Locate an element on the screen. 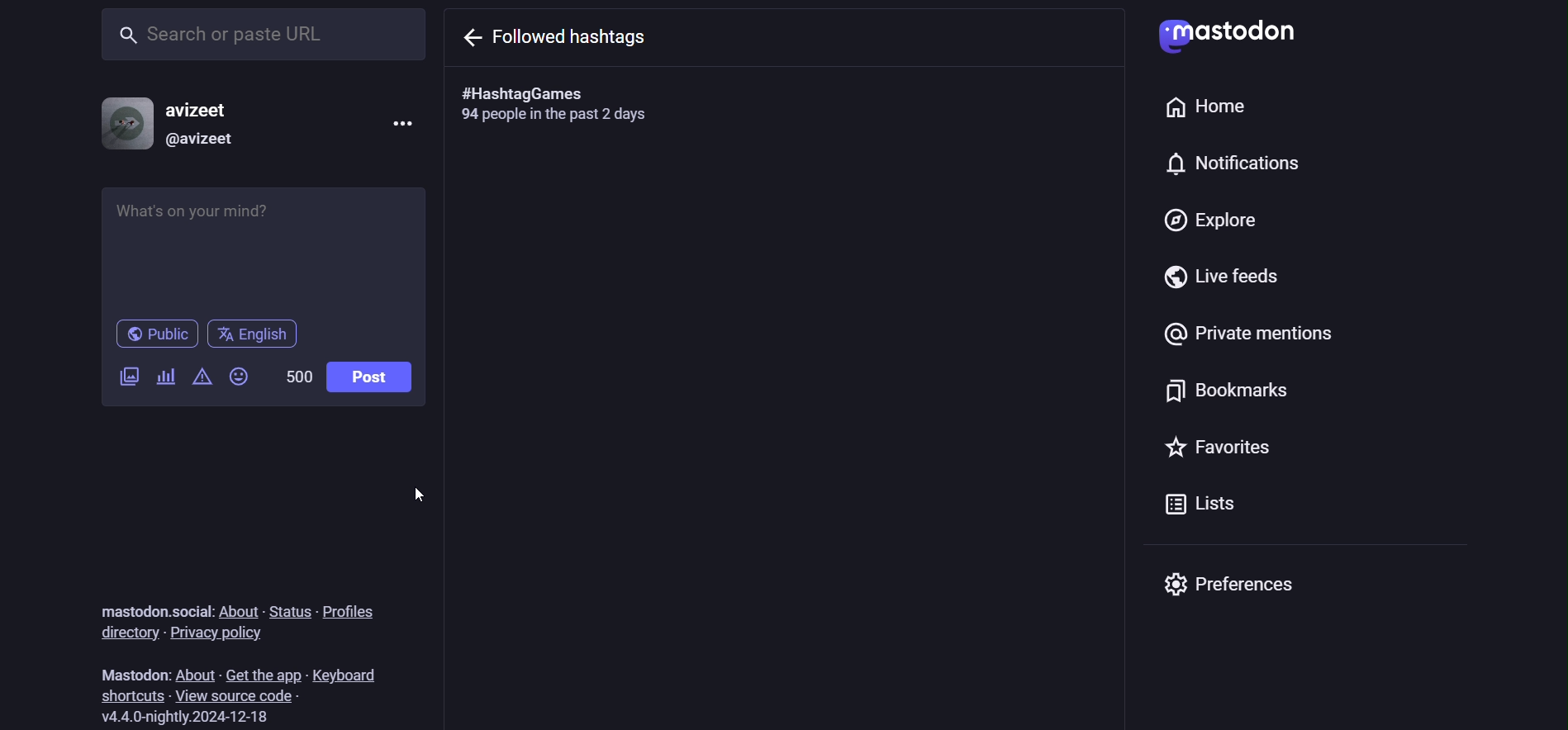 The height and width of the screenshot is (730, 1568). avizeet is located at coordinates (222, 111).